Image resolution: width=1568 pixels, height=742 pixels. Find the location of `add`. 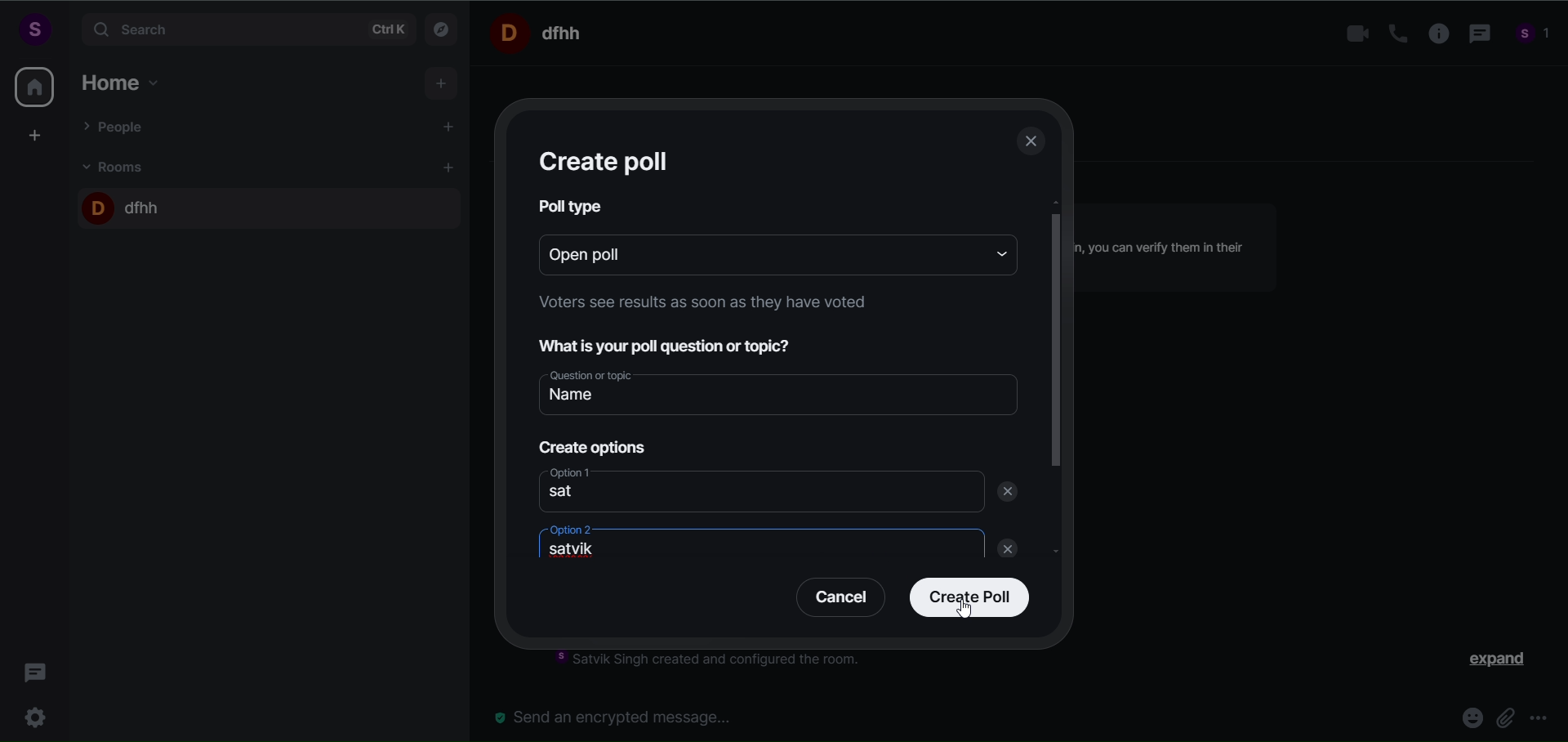

add is located at coordinates (443, 84).